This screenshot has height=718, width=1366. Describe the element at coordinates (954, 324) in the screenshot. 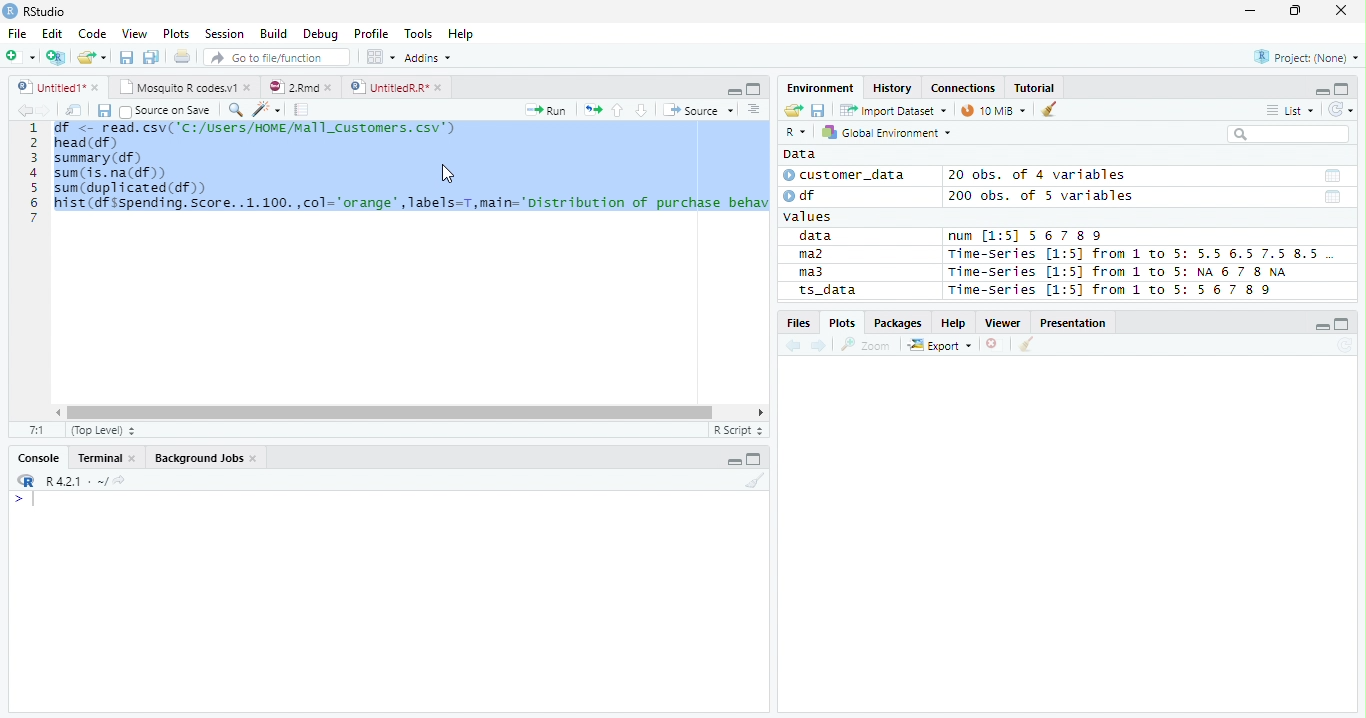

I see `Help` at that location.